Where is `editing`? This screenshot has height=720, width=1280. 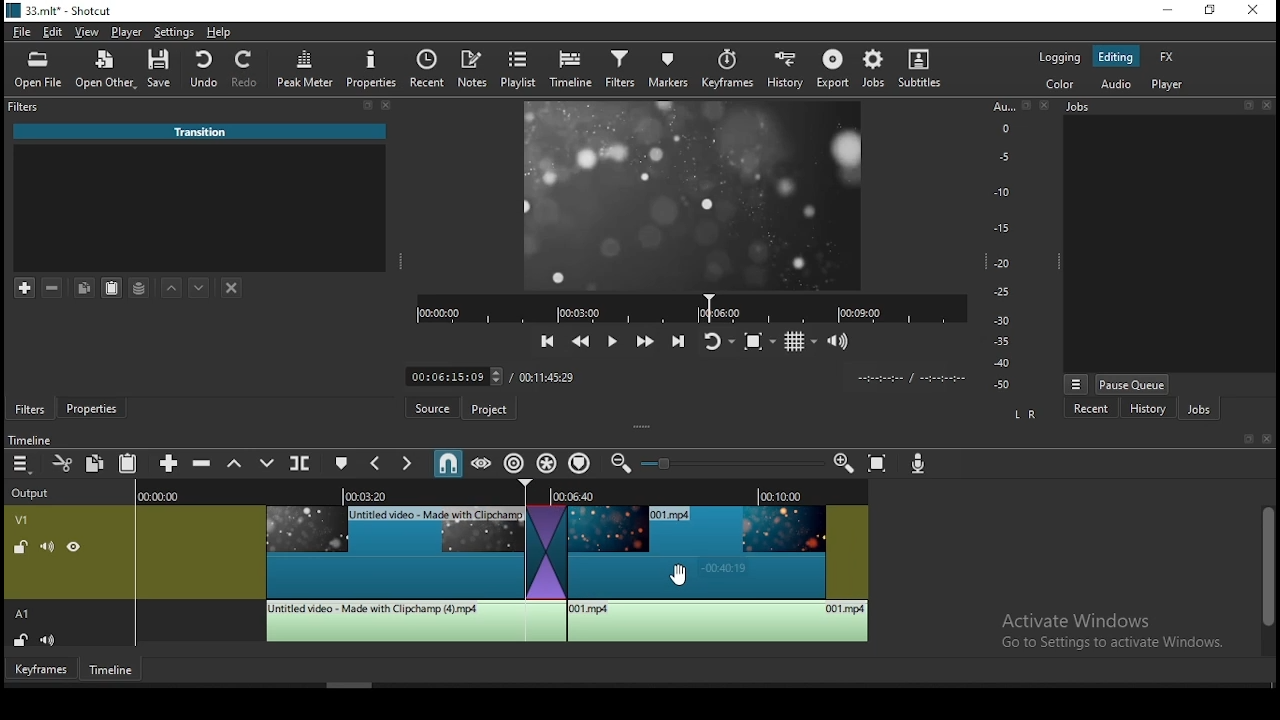 editing is located at coordinates (1122, 57).